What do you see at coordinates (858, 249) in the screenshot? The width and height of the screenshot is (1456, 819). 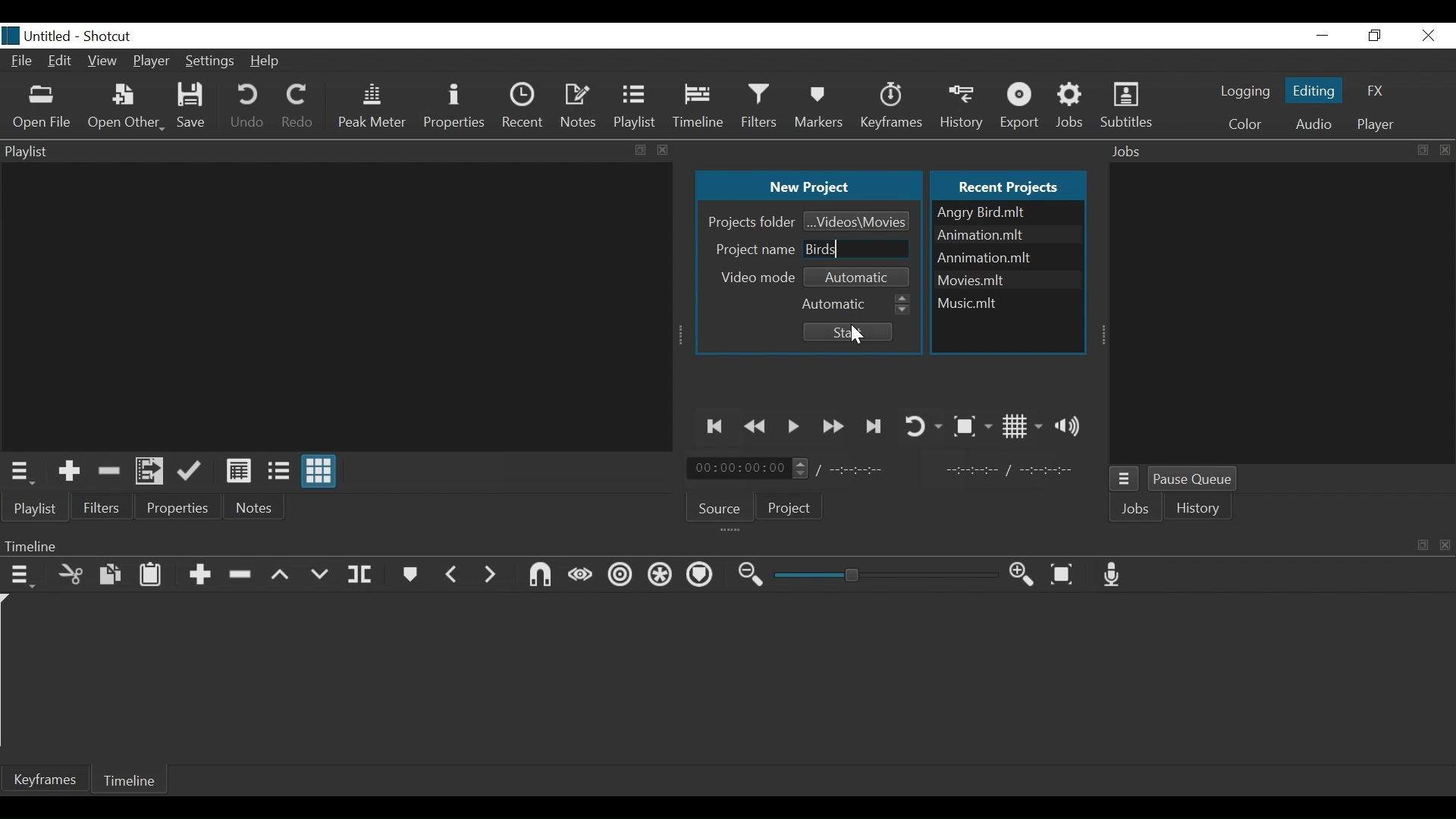 I see `Project name Field ` at bounding box center [858, 249].